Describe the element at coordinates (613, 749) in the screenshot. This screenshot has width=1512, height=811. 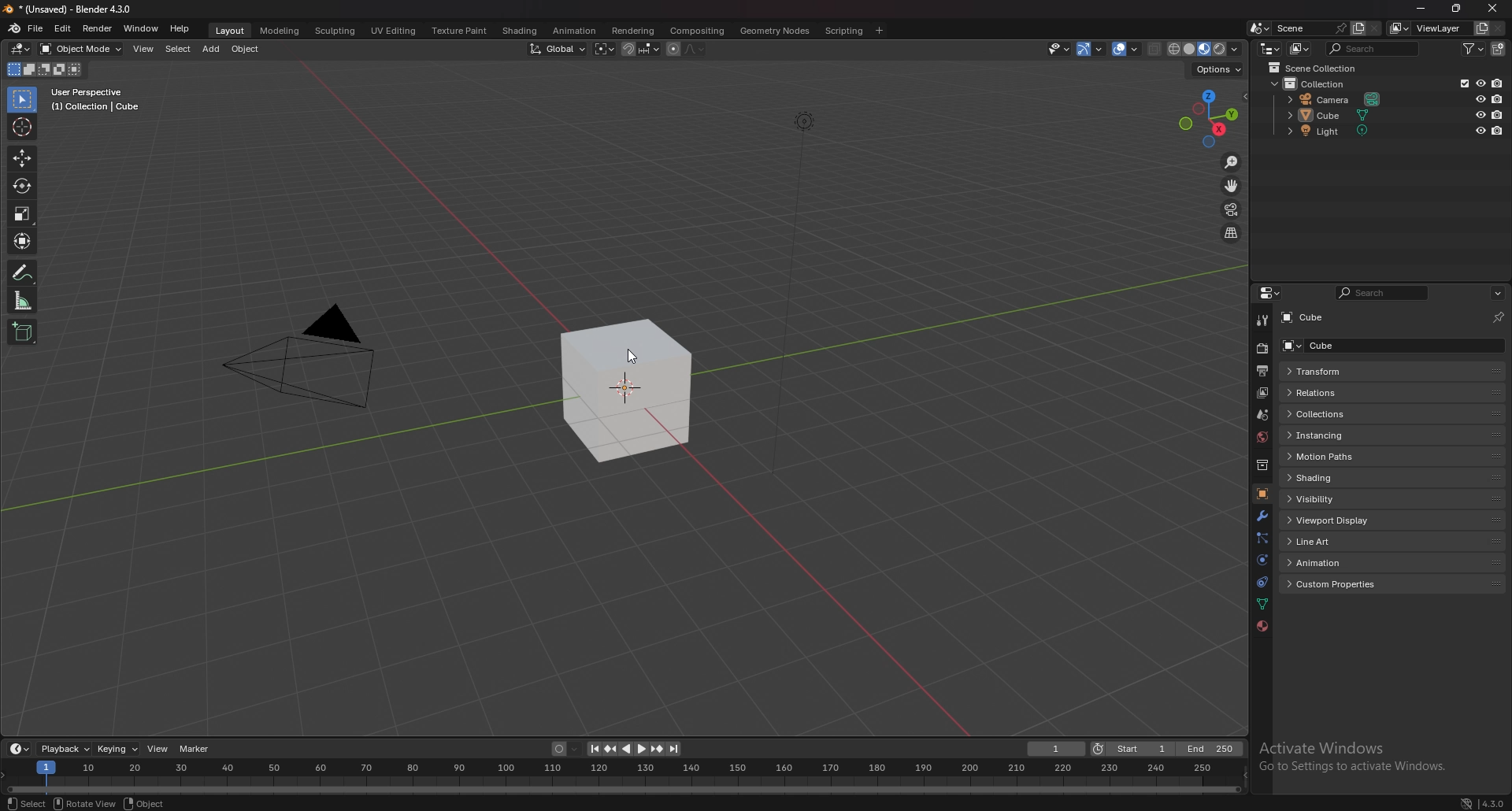
I see `jump to previous keyframe` at that location.